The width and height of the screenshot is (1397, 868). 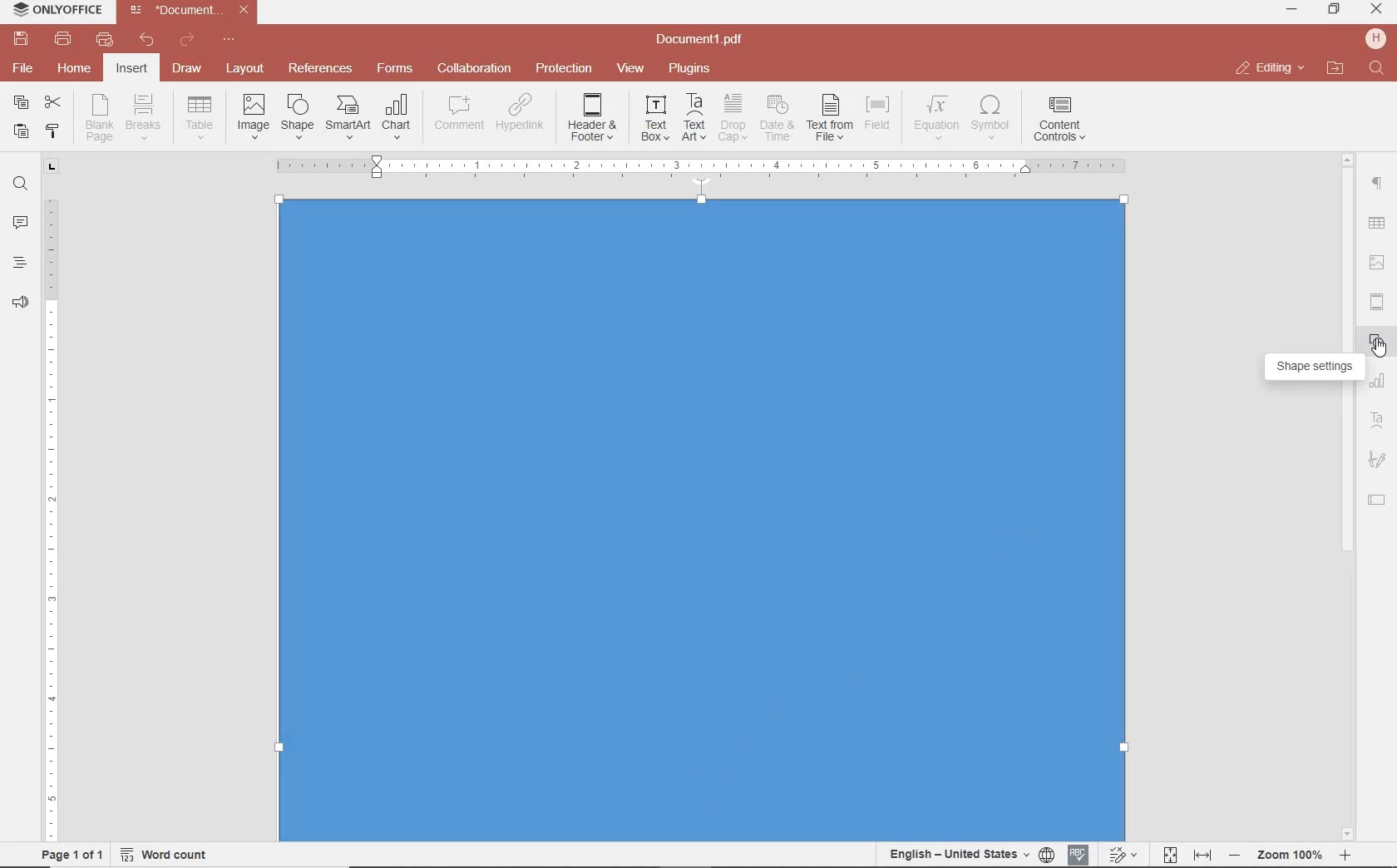 What do you see at coordinates (348, 116) in the screenshot?
I see `INSERT SMART ART` at bounding box center [348, 116].